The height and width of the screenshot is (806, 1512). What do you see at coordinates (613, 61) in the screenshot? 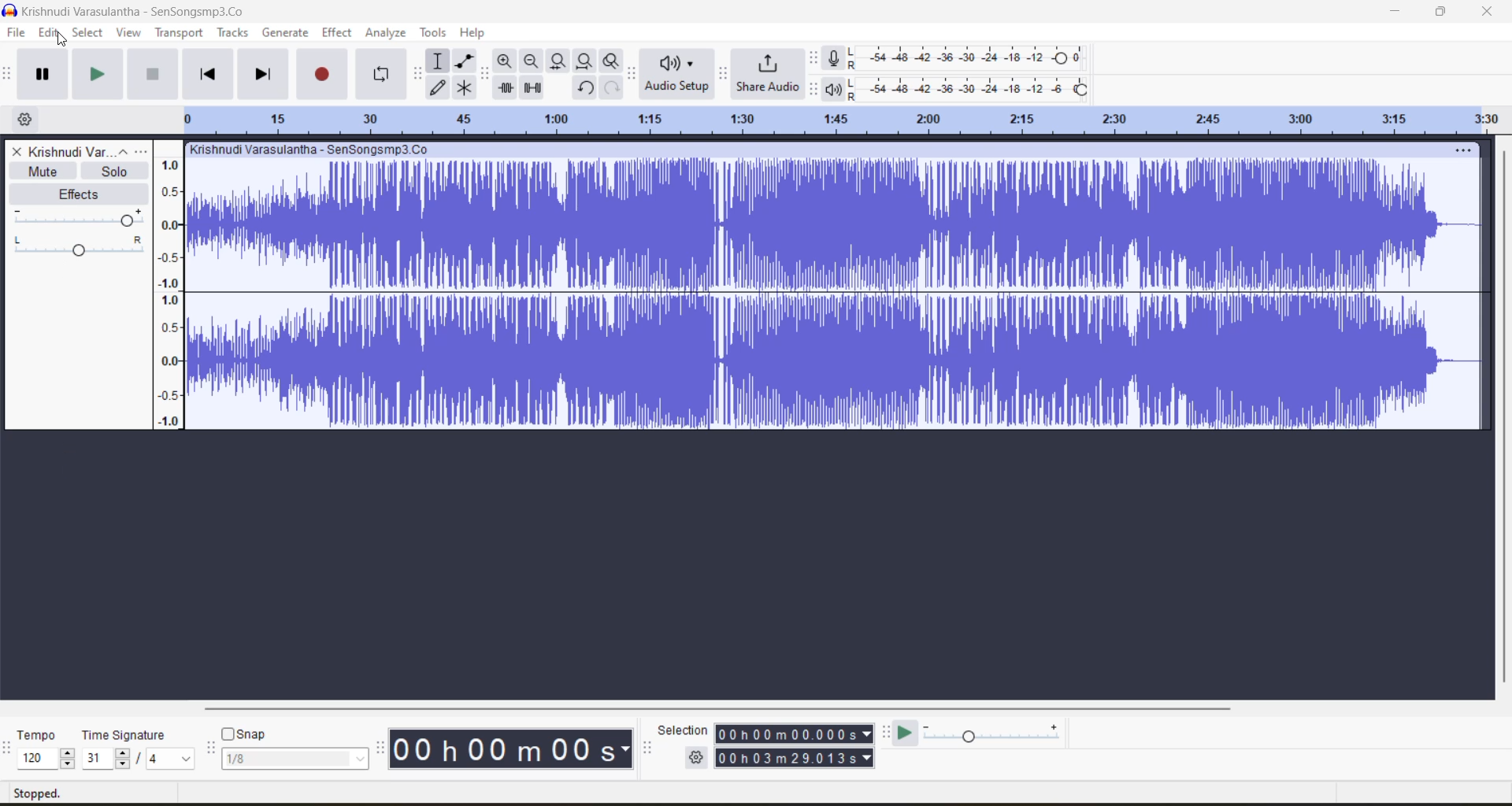
I see `zoom toggle` at bounding box center [613, 61].